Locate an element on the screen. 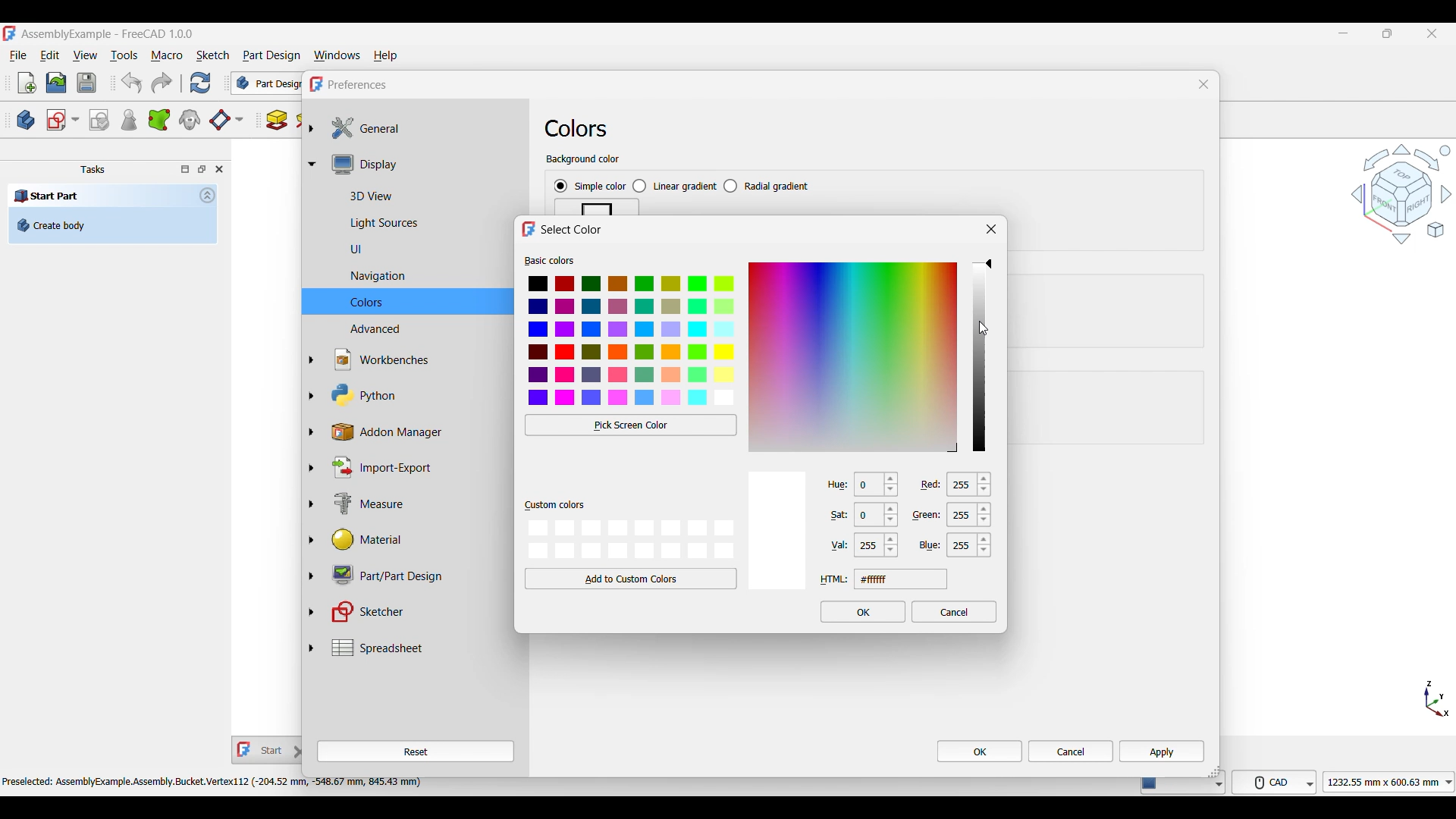 The image size is (1456, 819). Redo is located at coordinates (162, 83).